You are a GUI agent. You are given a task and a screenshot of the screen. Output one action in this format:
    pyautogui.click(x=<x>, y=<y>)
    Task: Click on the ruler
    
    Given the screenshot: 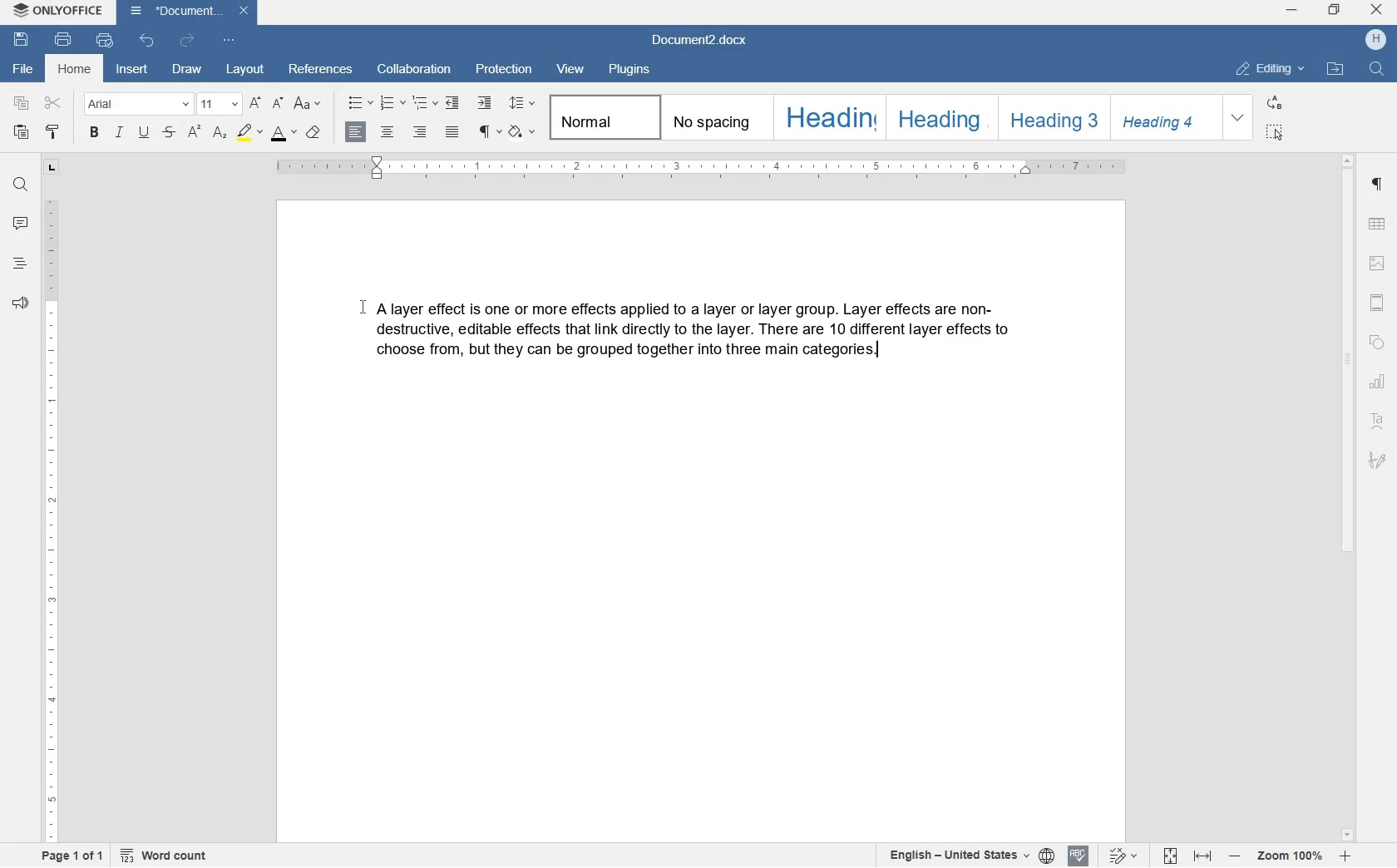 What is the action you would take?
    pyautogui.click(x=51, y=516)
    